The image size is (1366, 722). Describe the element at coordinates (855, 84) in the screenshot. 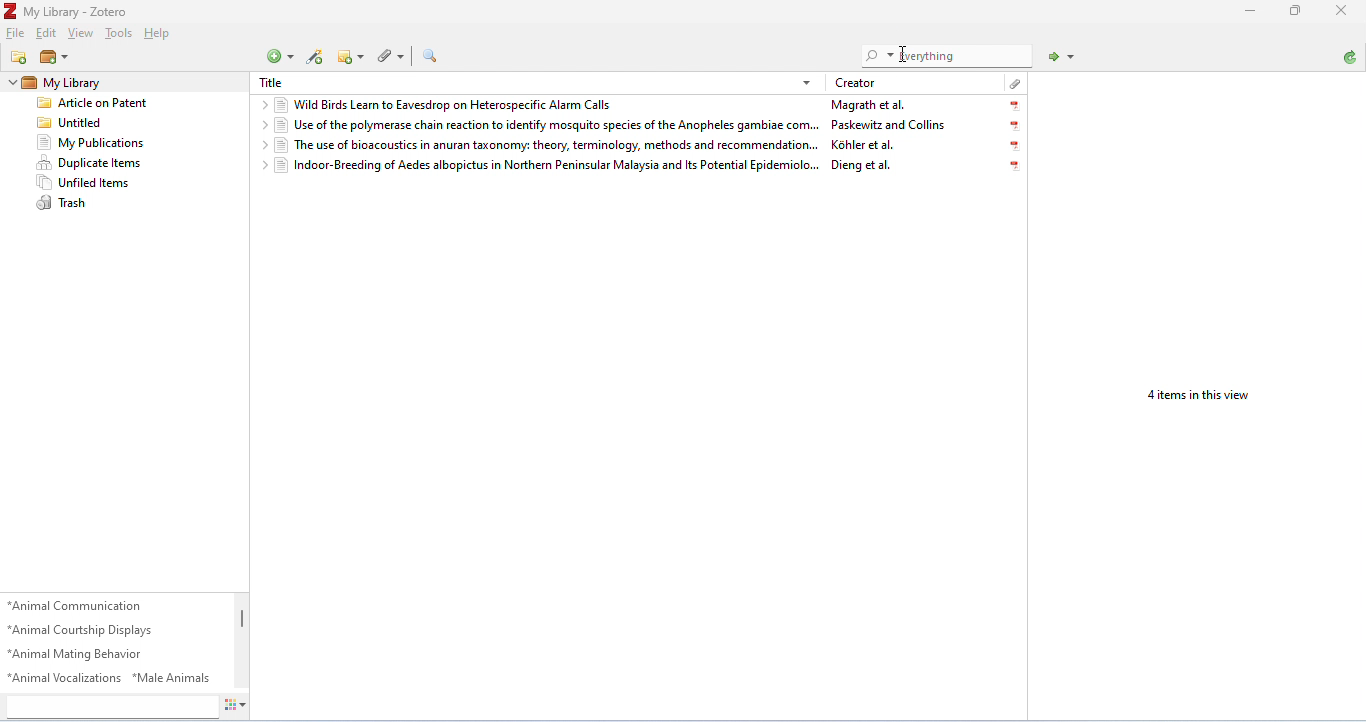

I see `Creator` at that location.